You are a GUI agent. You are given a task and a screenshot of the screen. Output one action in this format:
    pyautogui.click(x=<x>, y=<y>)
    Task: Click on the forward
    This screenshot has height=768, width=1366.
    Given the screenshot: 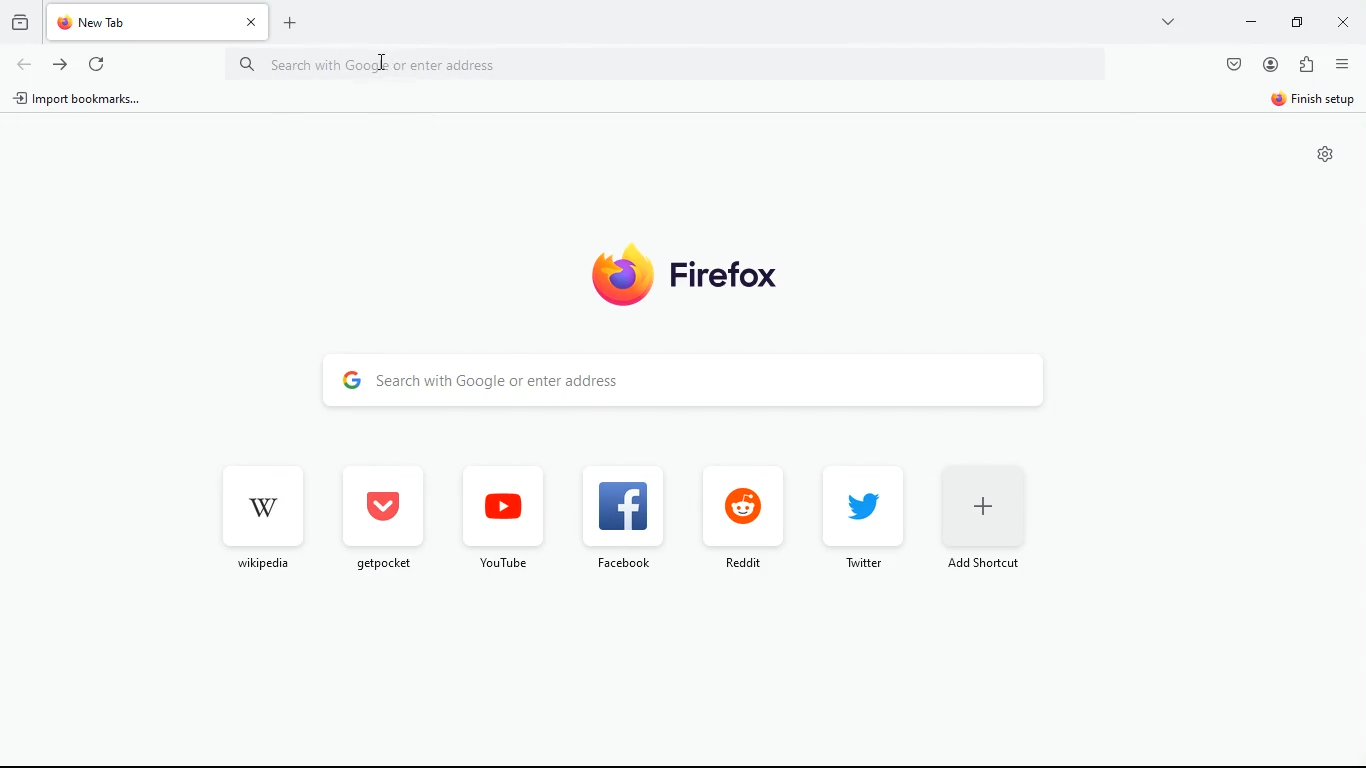 What is the action you would take?
    pyautogui.click(x=62, y=64)
    